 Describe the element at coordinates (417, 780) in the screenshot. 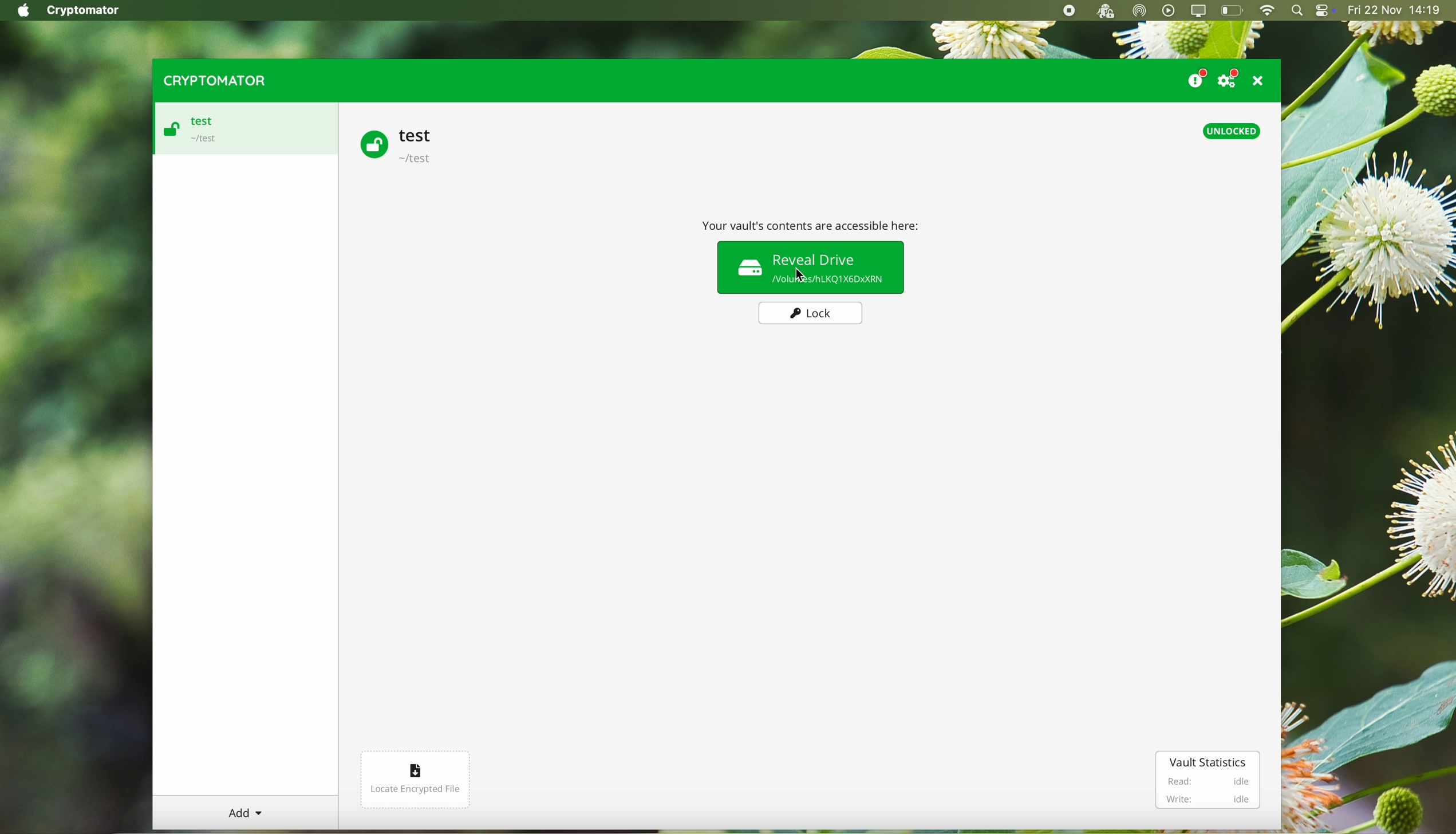

I see `locate encrypted file` at that location.